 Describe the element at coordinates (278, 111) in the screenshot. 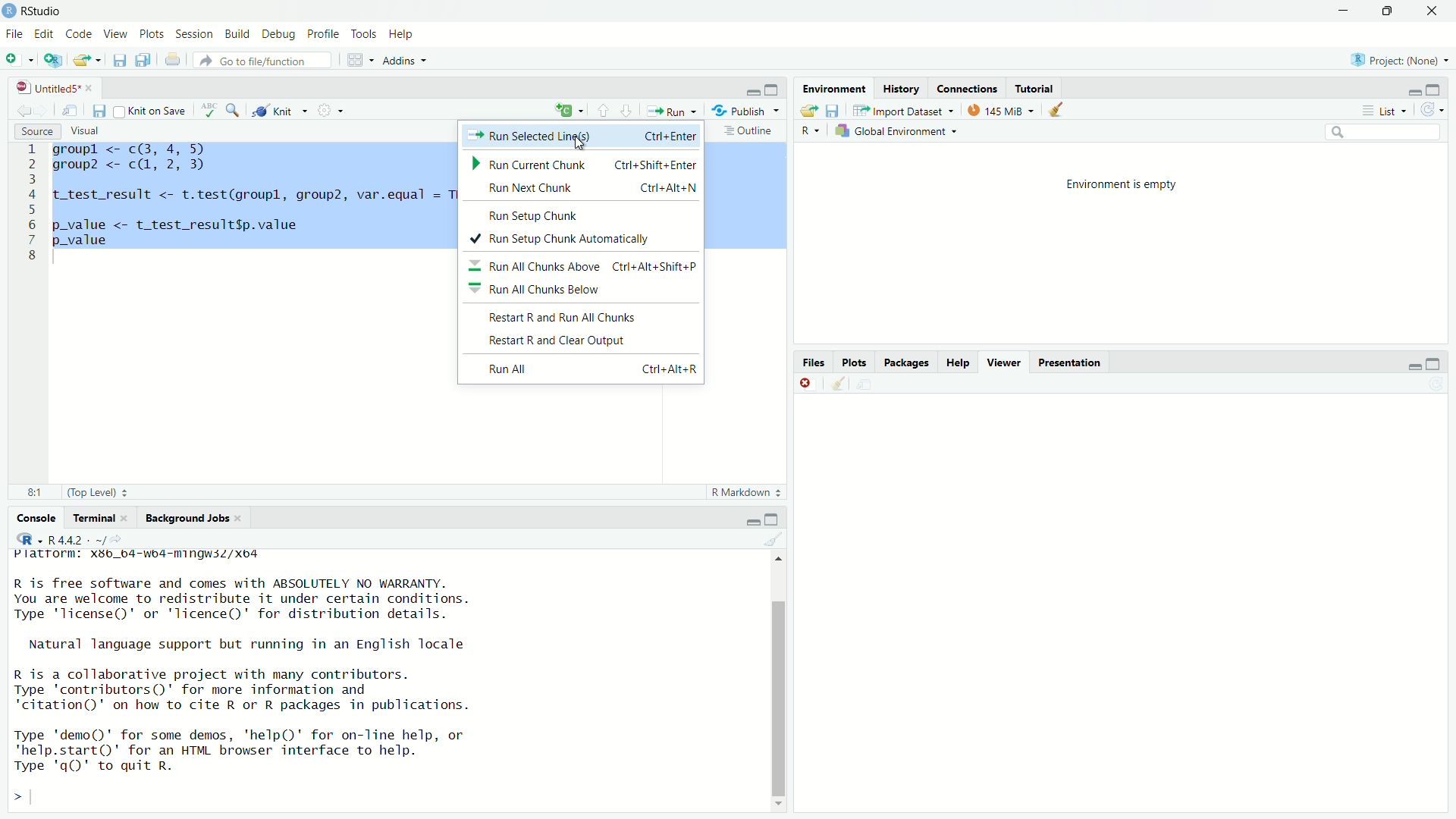

I see `@ Knit ~` at that location.